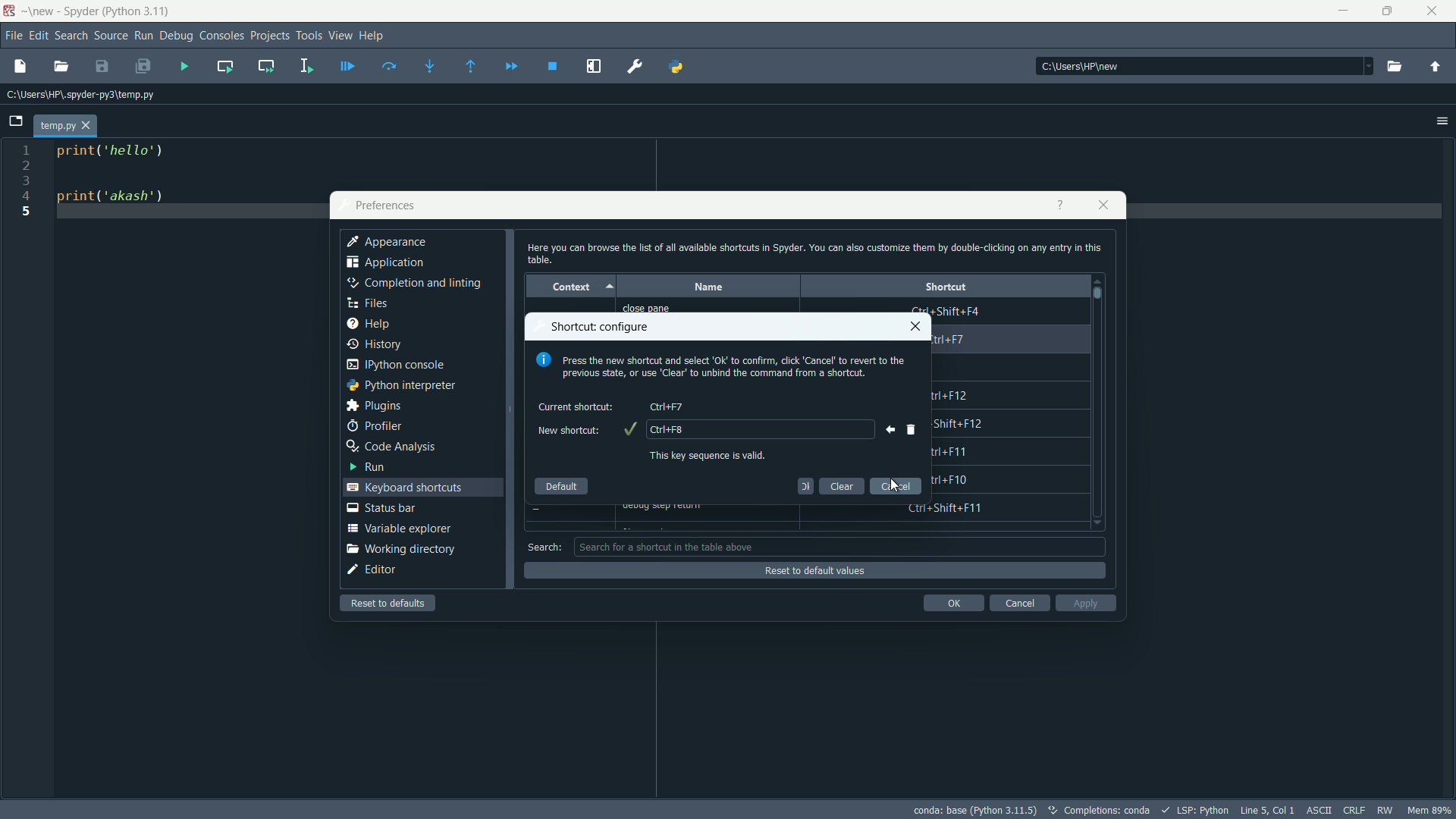 The image size is (1456, 819). What do you see at coordinates (636, 67) in the screenshot?
I see `preferences` at bounding box center [636, 67].